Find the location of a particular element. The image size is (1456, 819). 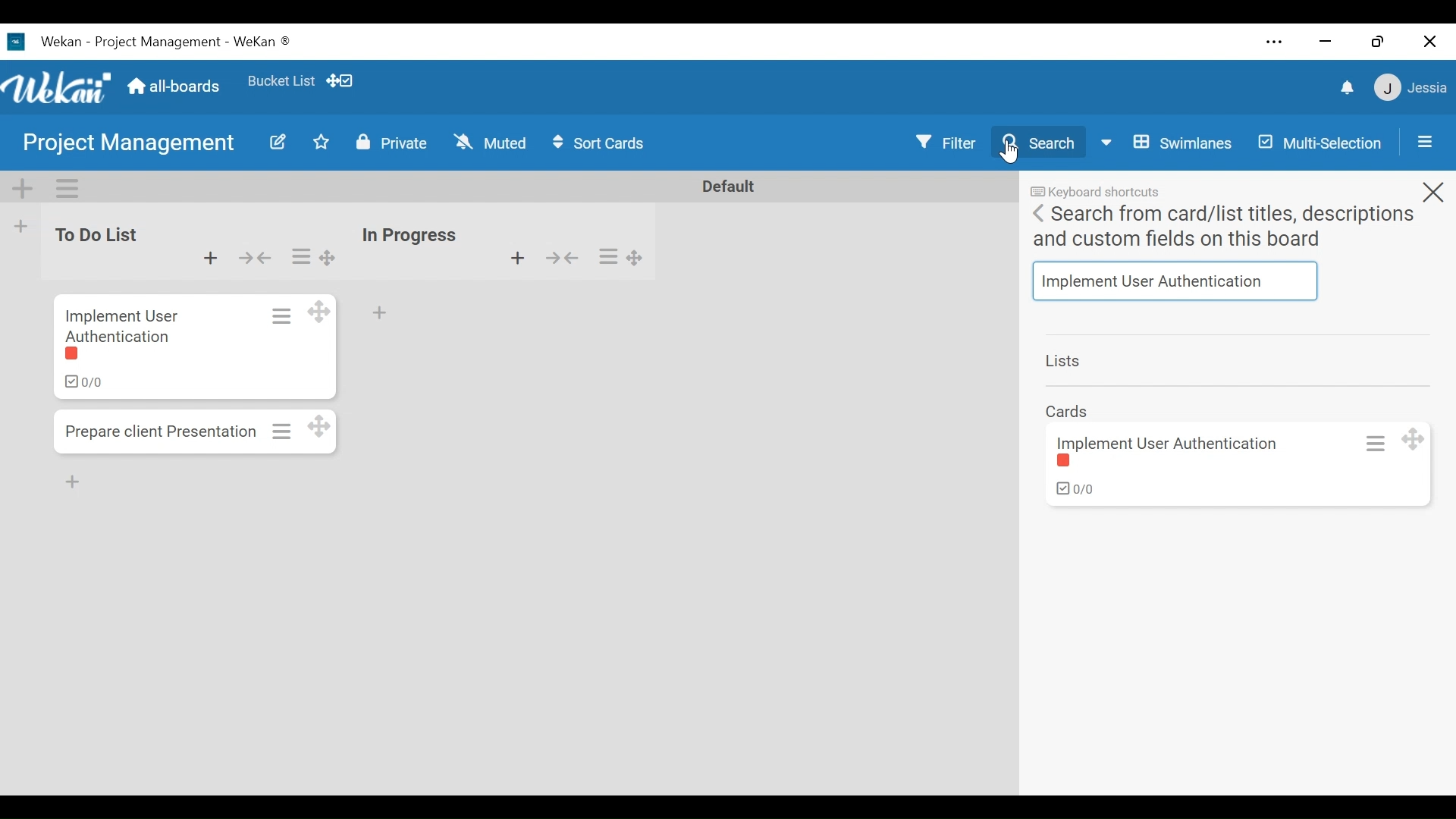

label is located at coordinates (78, 356).